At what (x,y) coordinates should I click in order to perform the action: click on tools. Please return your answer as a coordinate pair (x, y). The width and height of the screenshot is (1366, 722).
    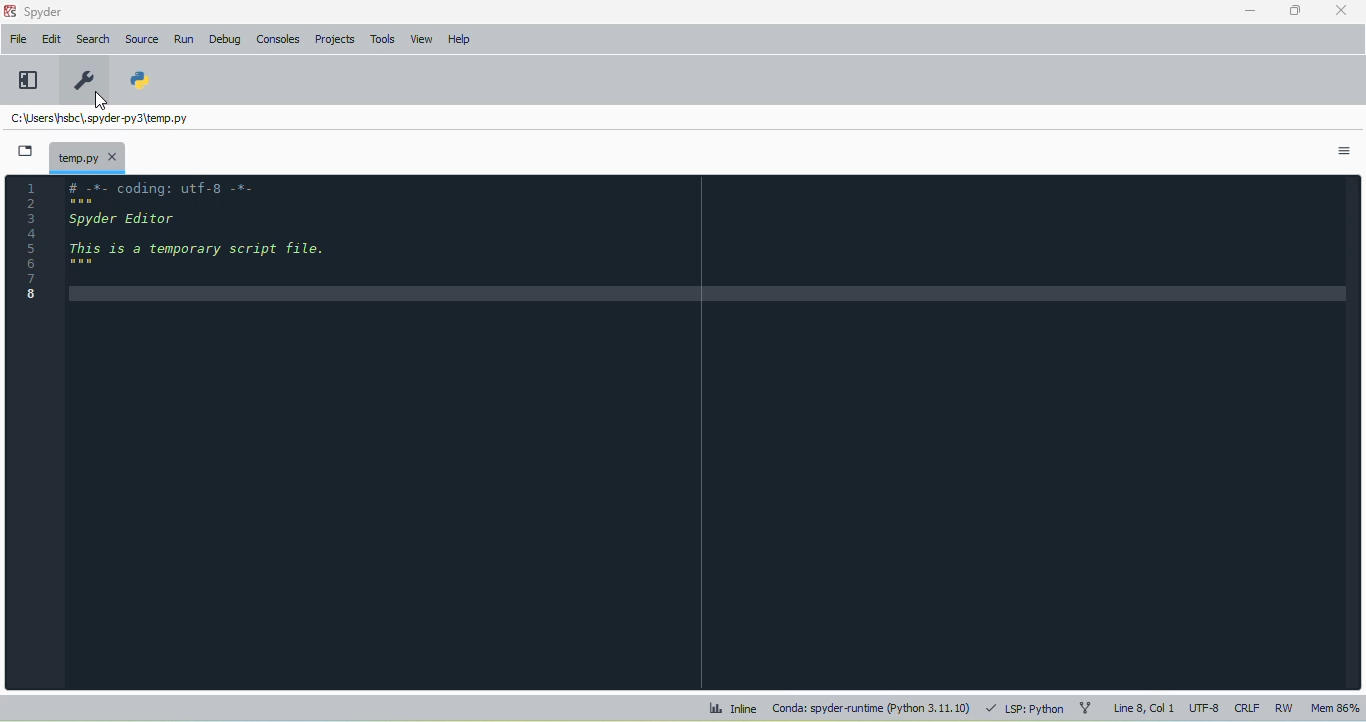
    Looking at the image, I should click on (382, 39).